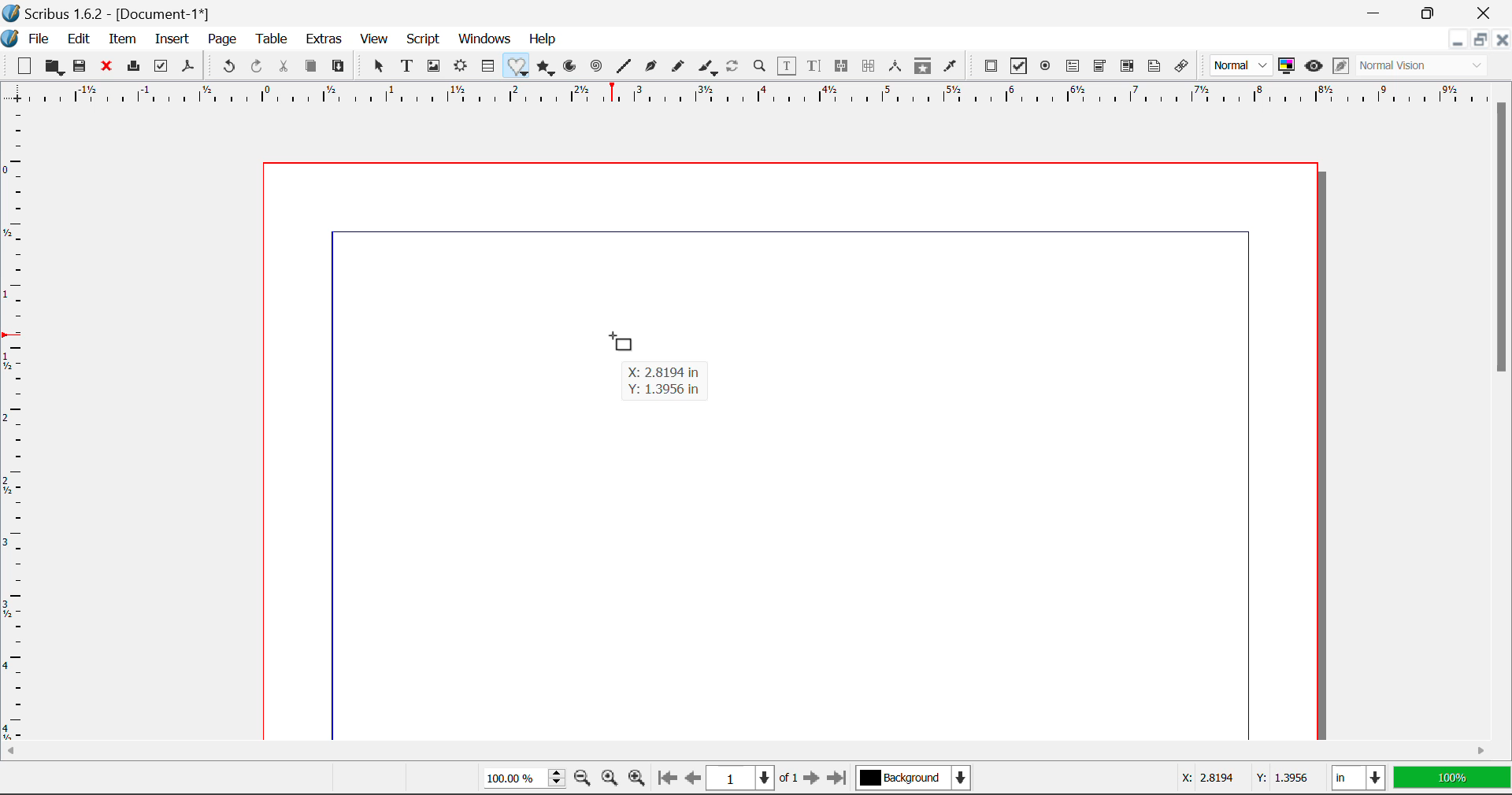  What do you see at coordinates (487, 68) in the screenshot?
I see `Insert Cells` at bounding box center [487, 68].